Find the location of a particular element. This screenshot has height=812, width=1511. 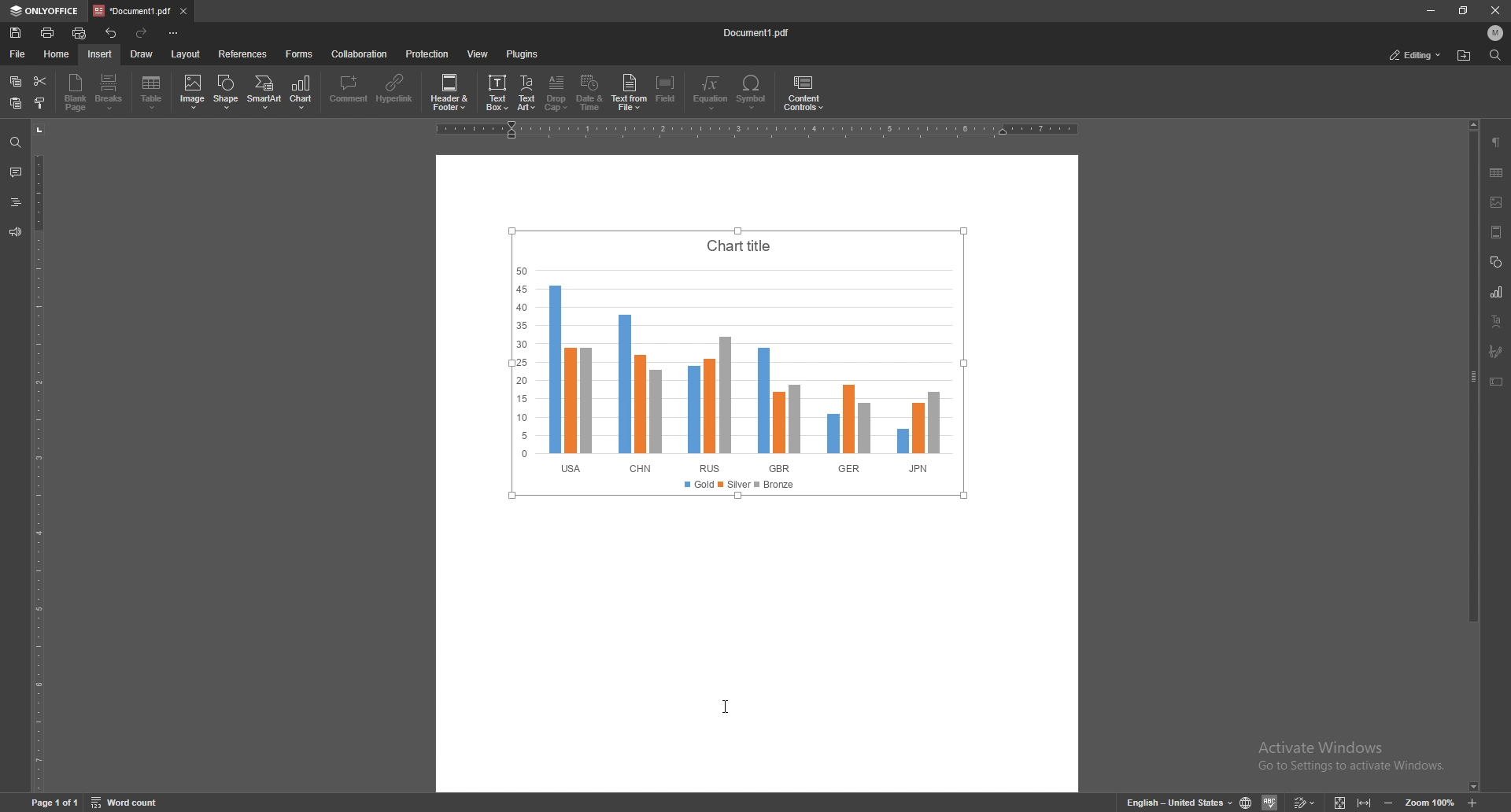

copy style is located at coordinates (39, 104).